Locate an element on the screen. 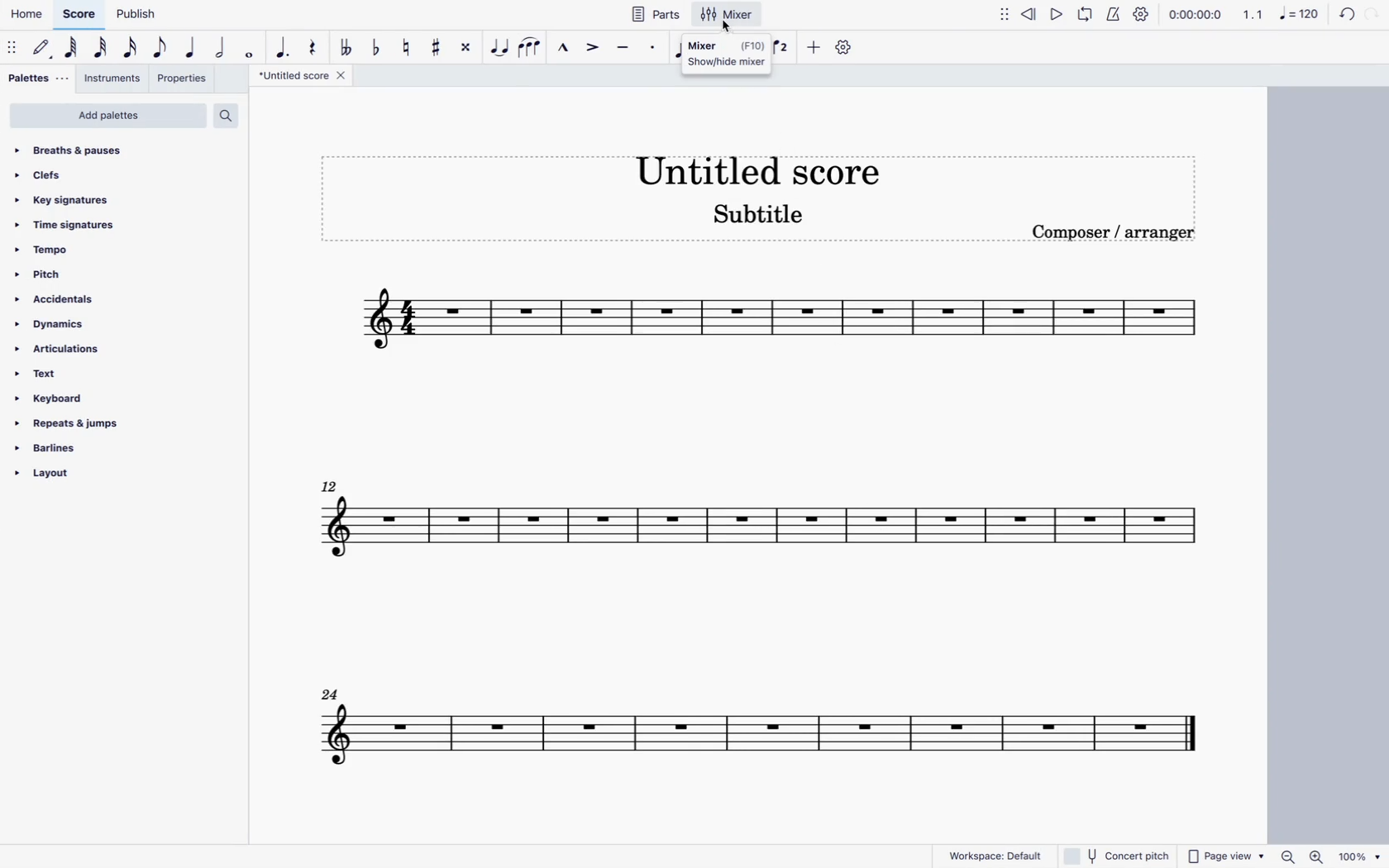 The height and width of the screenshot is (868, 1389). 32nd note is located at coordinates (103, 48).